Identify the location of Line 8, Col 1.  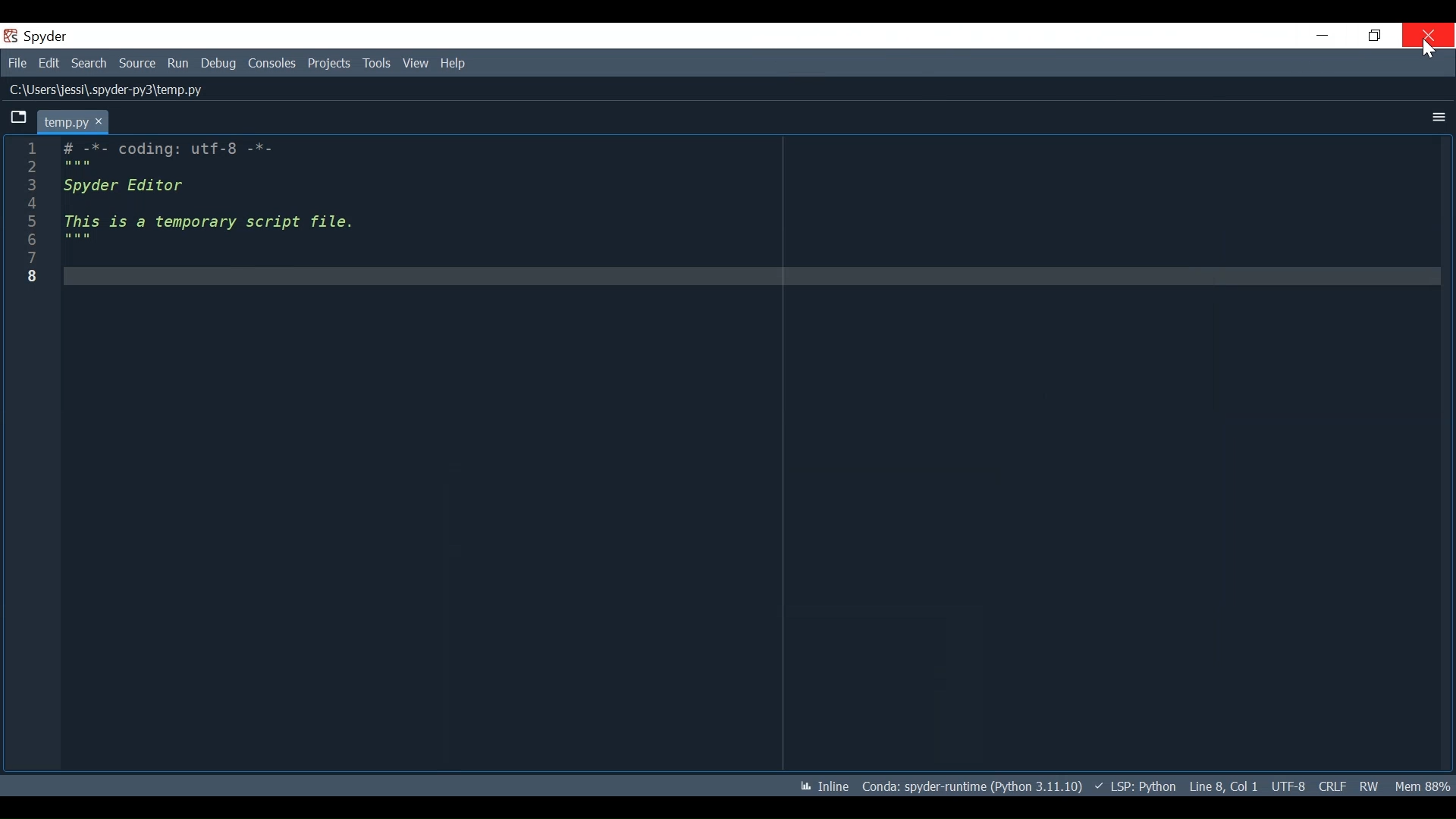
(1222, 786).